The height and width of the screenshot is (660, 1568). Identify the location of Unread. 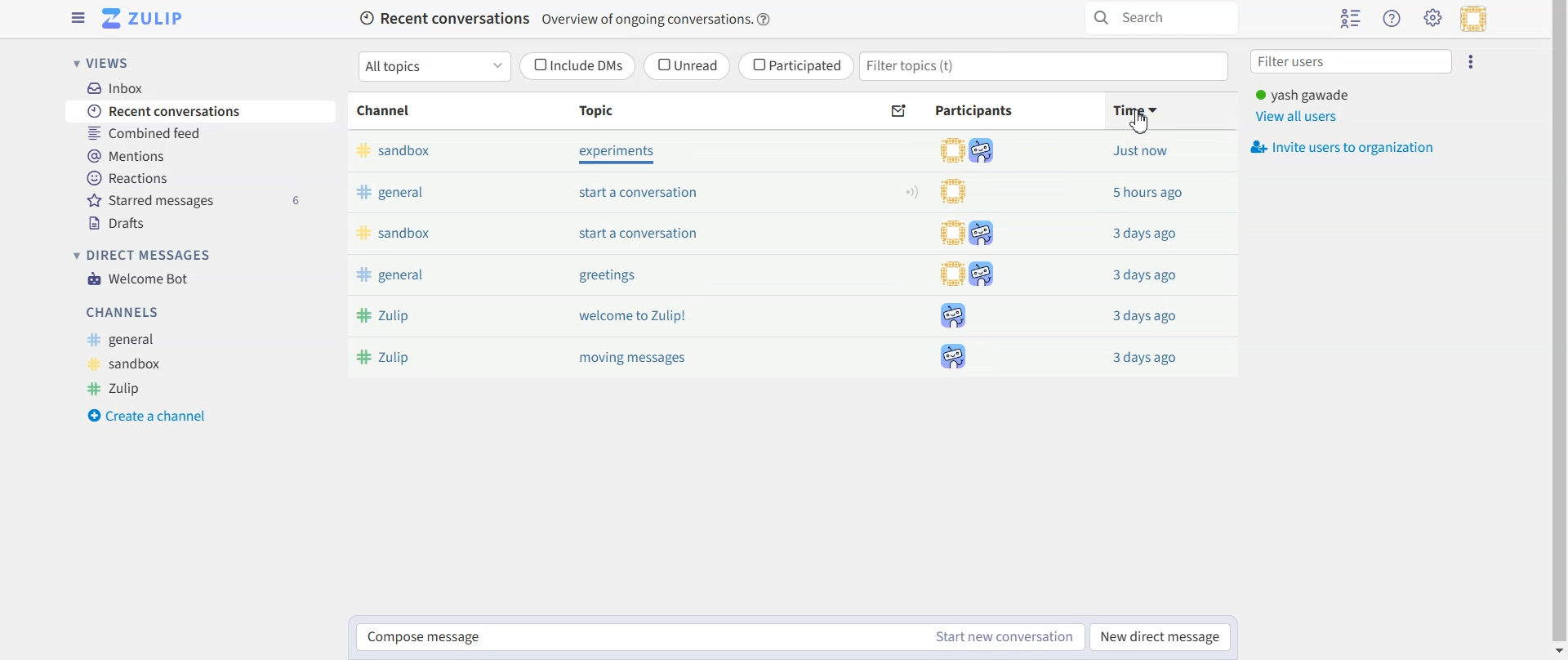
(688, 66).